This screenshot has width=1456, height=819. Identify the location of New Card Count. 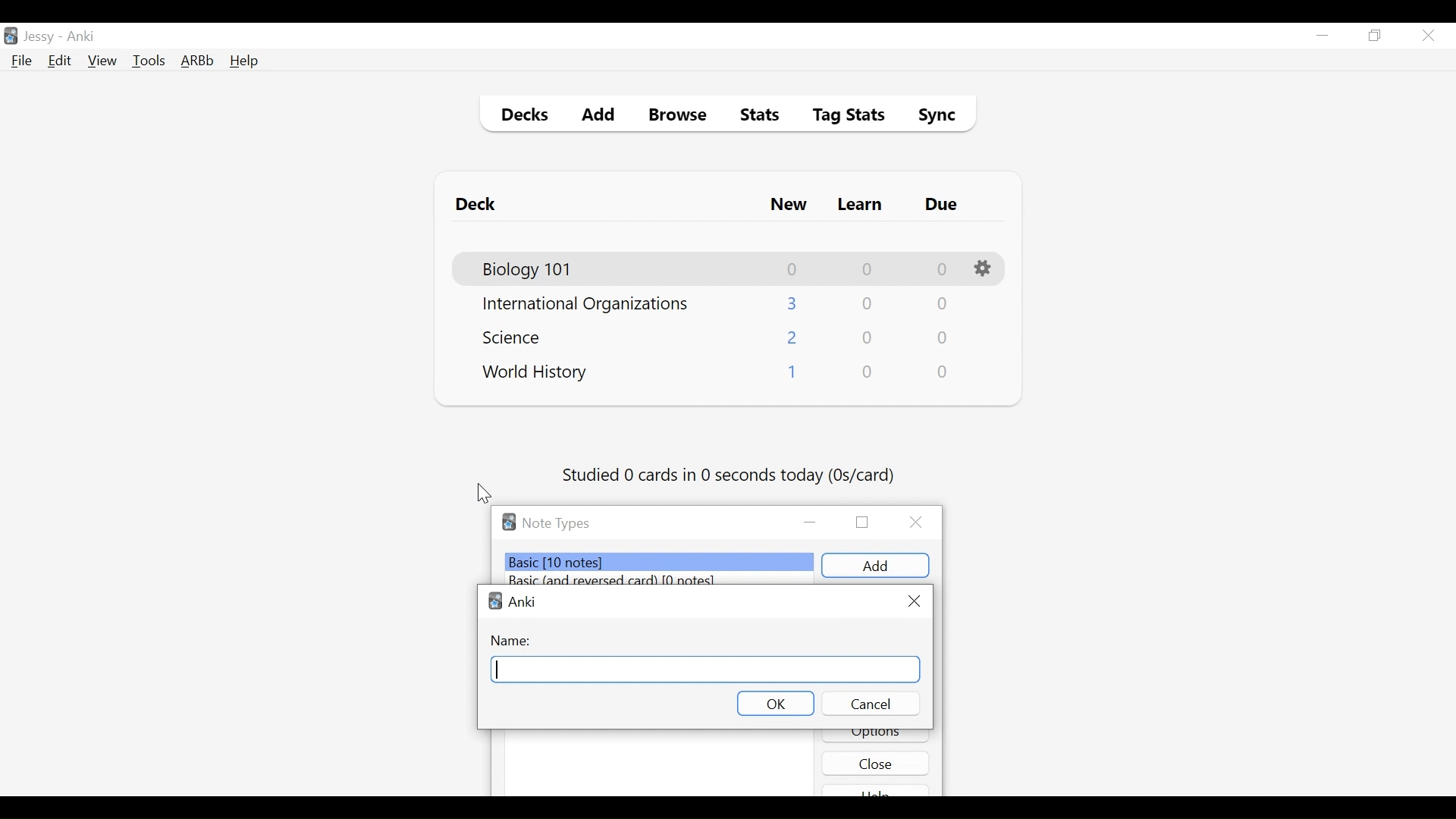
(793, 269).